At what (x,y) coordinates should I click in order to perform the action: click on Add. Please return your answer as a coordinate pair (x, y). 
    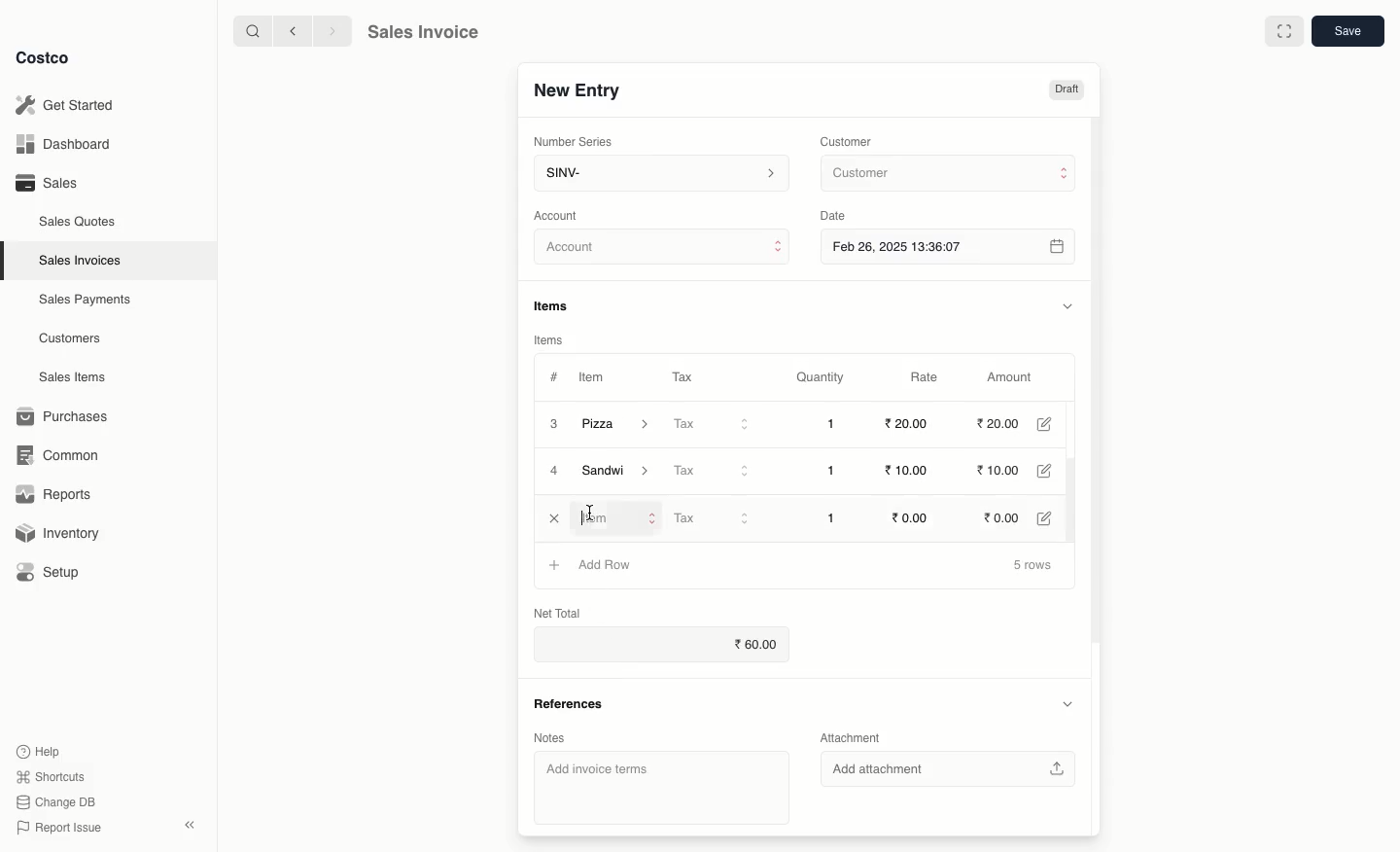
    Looking at the image, I should click on (555, 563).